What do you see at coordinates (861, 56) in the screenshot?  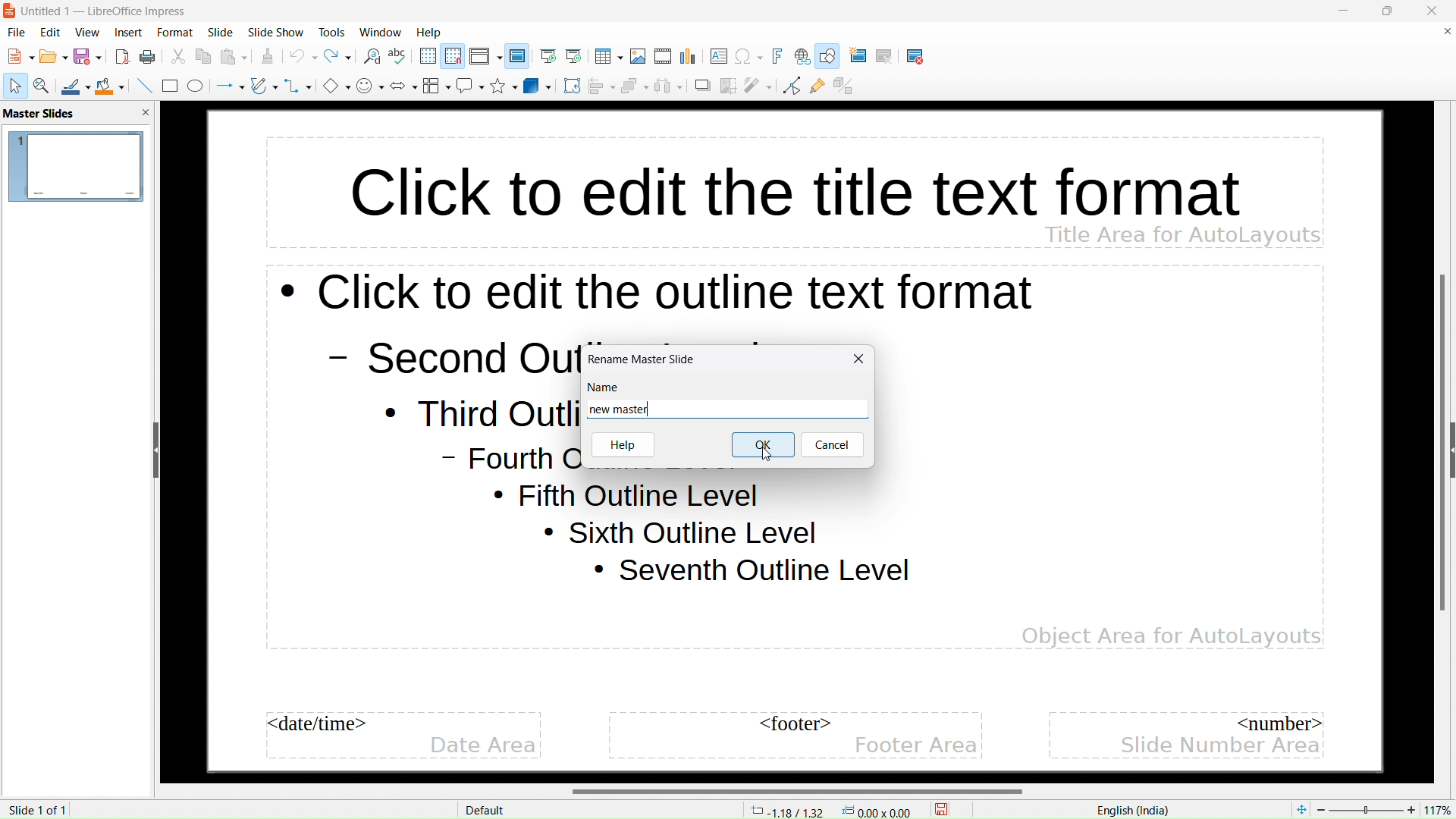 I see `new slide` at bounding box center [861, 56].